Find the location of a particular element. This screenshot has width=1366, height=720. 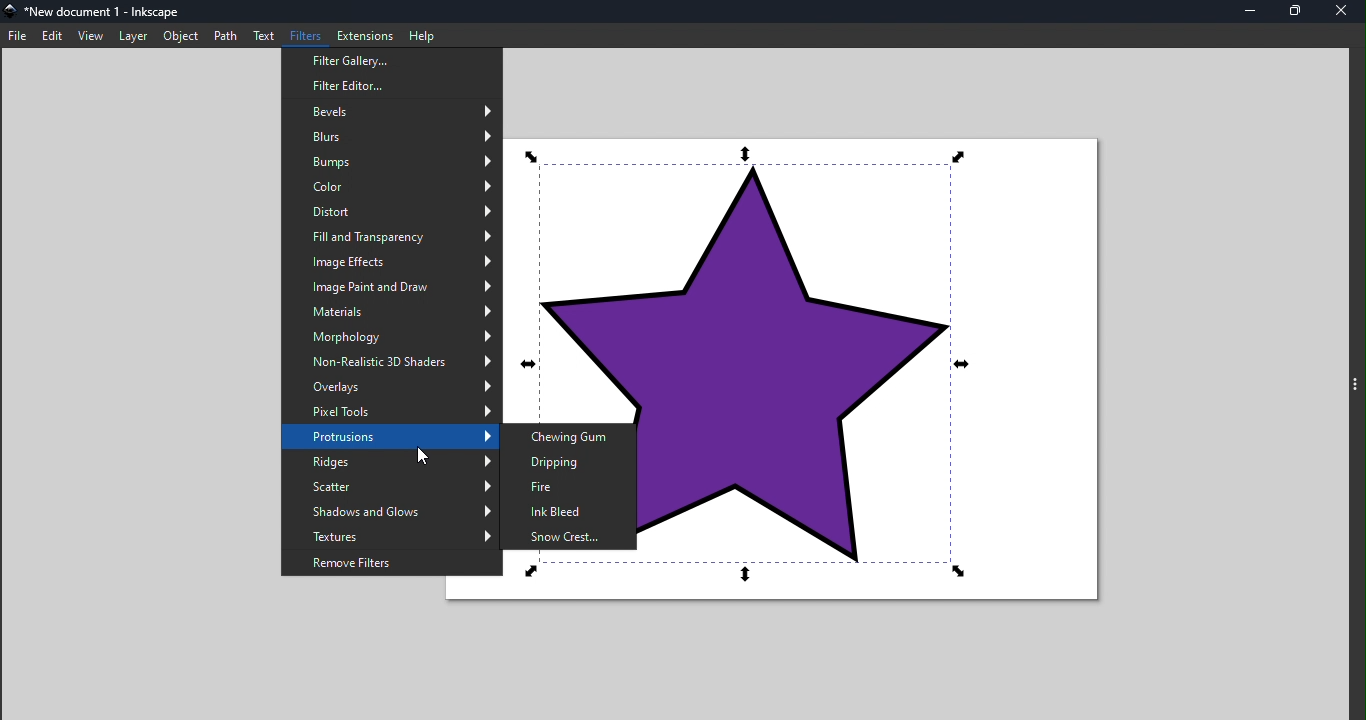

Protrusions is located at coordinates (387, 438).